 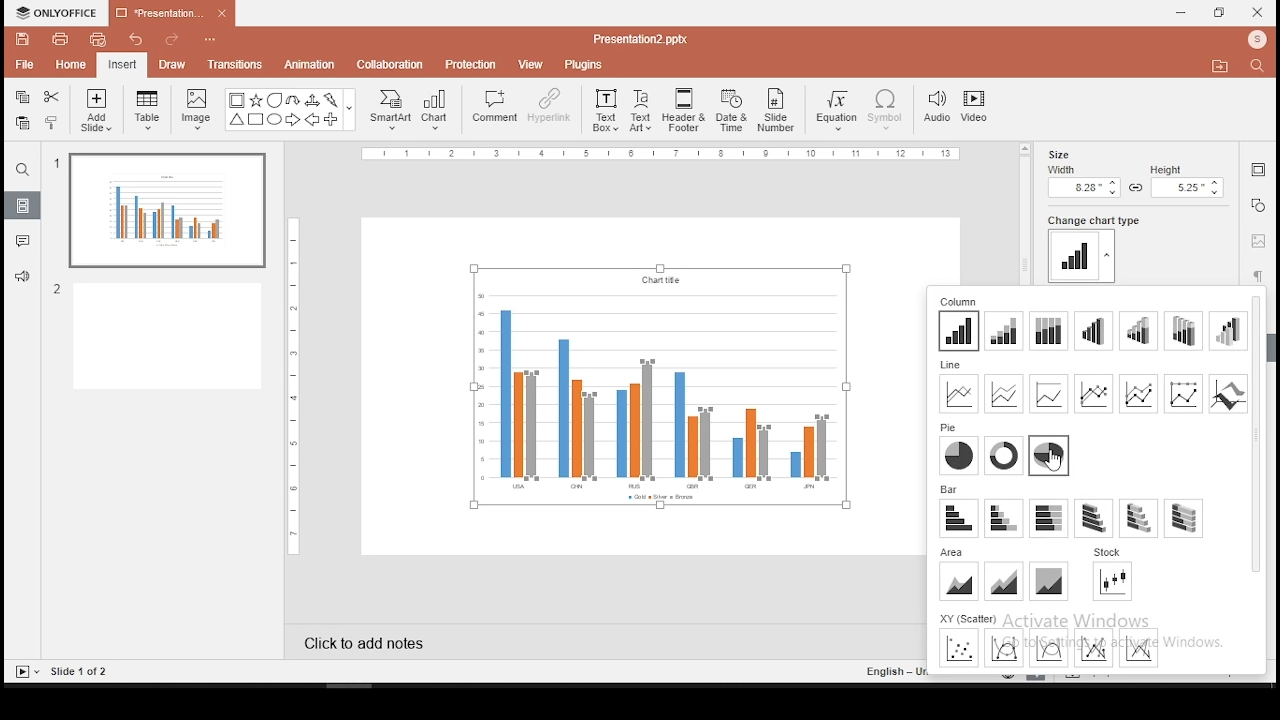 What do you see at coordinates (59, 229) in the screenshot?
I see `numbers` at bounding box center [59, 229].